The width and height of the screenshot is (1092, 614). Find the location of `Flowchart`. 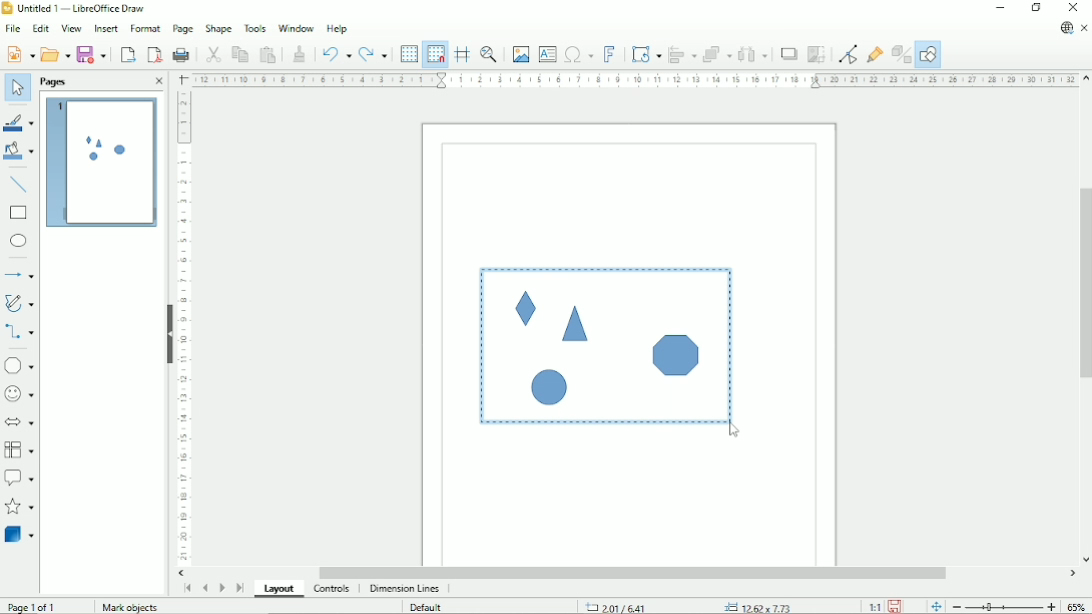

Flowchart is located at coordinates (20, 450).